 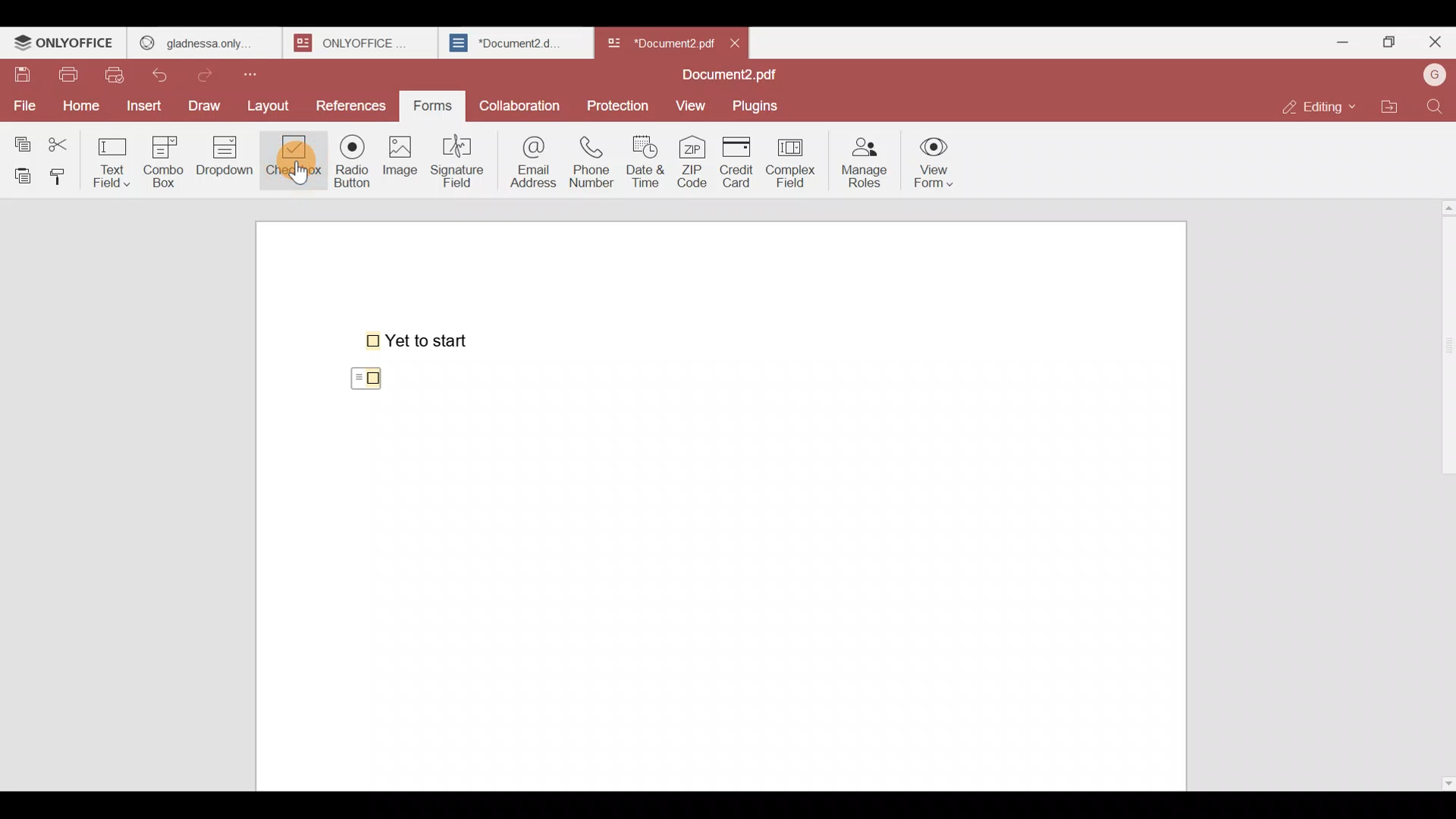 What do you see at coordinates (163, 159) in the screenshot?
I see `Combo box` at bounding box center [163, 159].